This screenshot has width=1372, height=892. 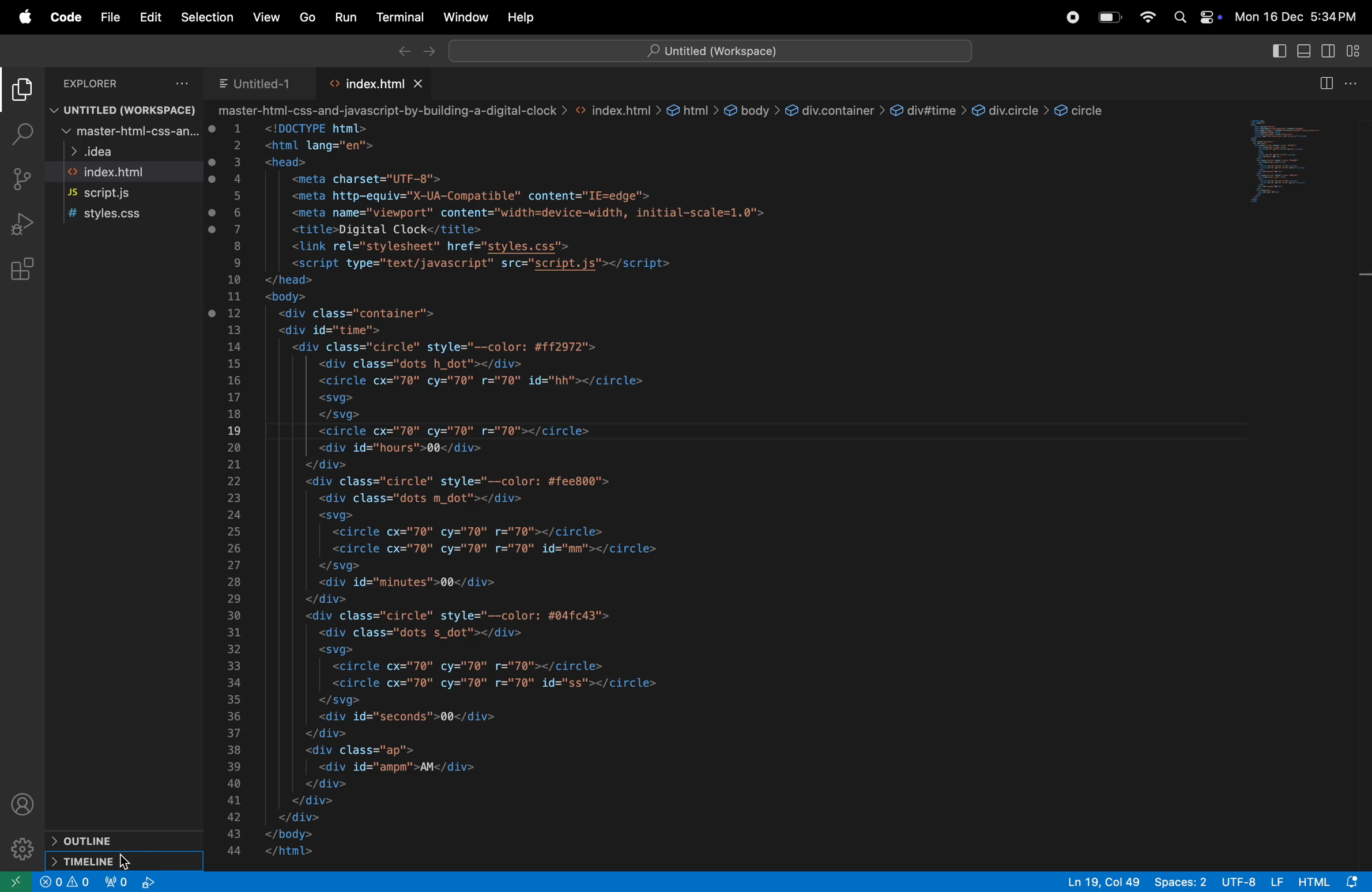 What do you see at coordinates (428, 247) in the screenshot?
I see `<link rel="stvlesheet" href="stvles.css">` at bounding box center [428, 247].